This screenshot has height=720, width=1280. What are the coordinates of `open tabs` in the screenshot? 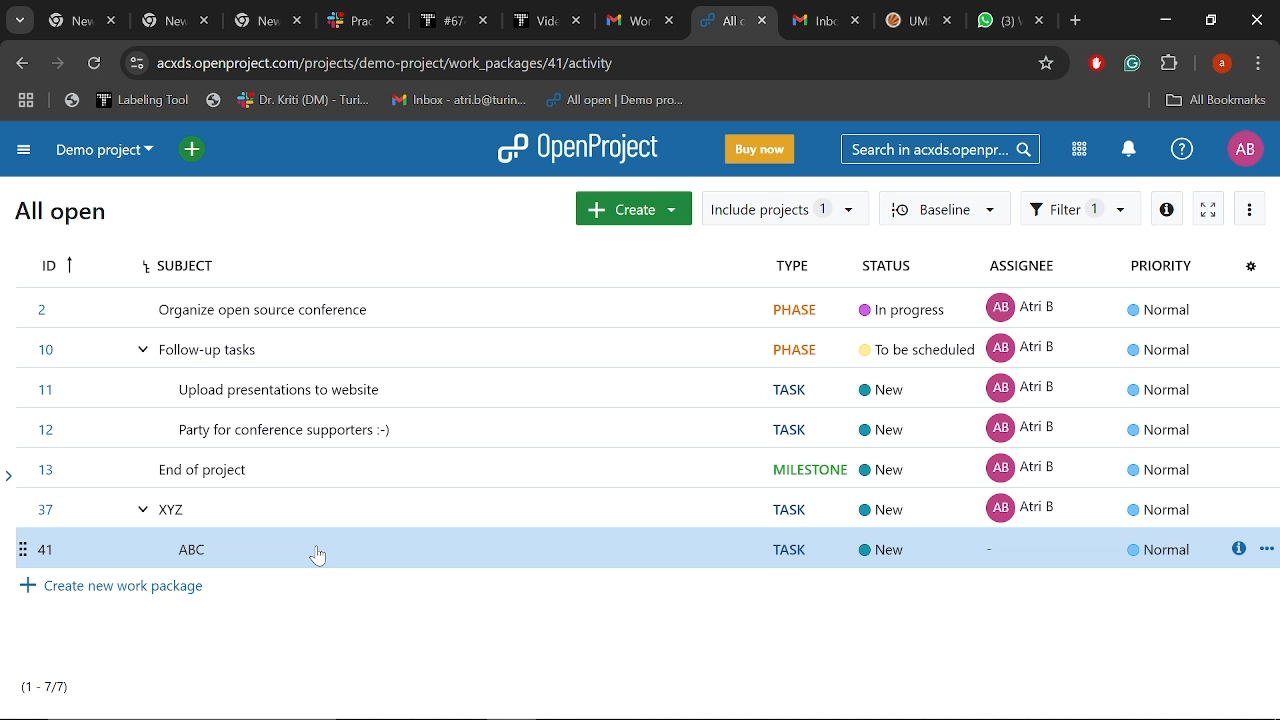 It's located at (361, 22).